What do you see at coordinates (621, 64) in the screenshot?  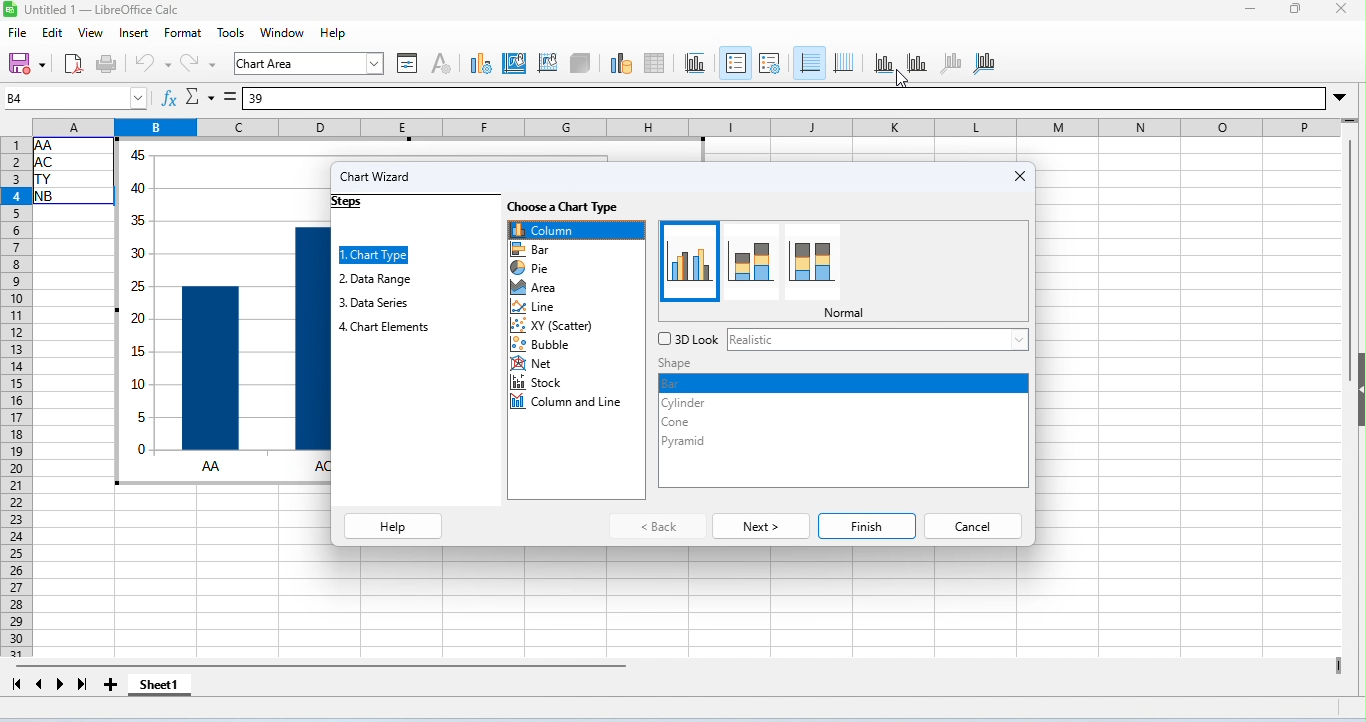 I see `data ranges` at bounding box center [621, 64].